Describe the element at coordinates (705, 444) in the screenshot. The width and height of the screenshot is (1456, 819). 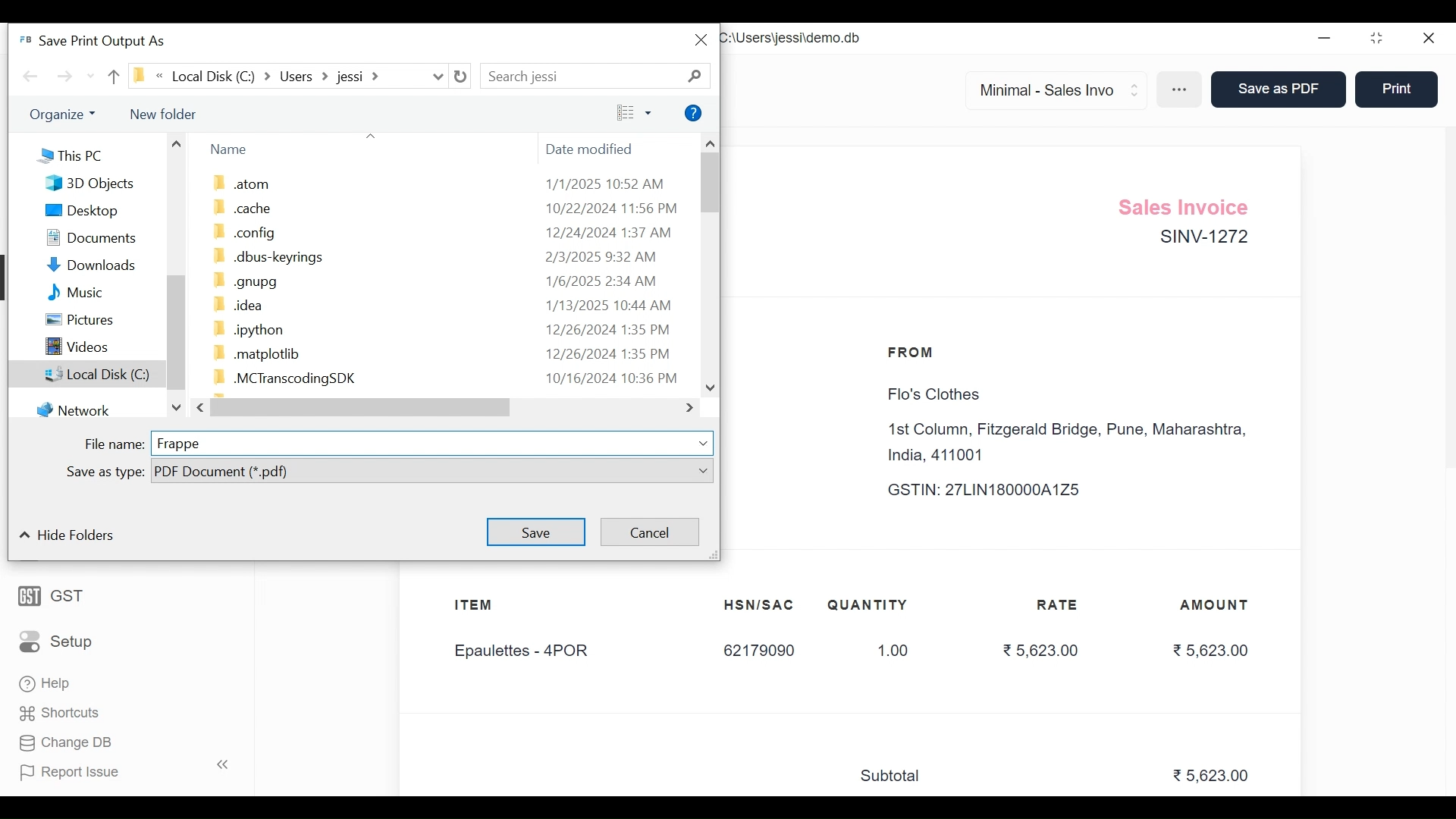
I see `Expand` at that location.